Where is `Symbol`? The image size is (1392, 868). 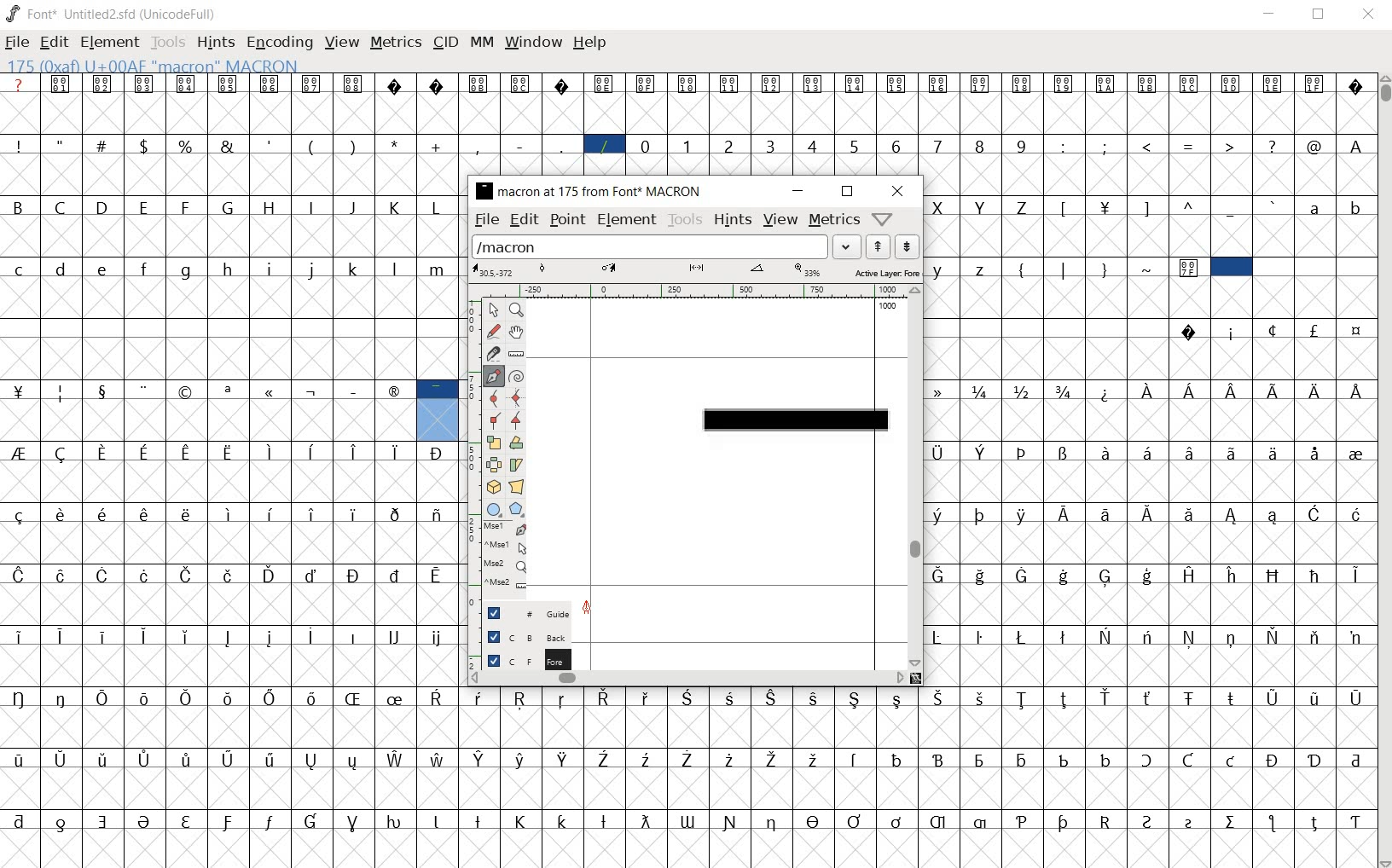 Symbol is located at coordinates (274, 697).